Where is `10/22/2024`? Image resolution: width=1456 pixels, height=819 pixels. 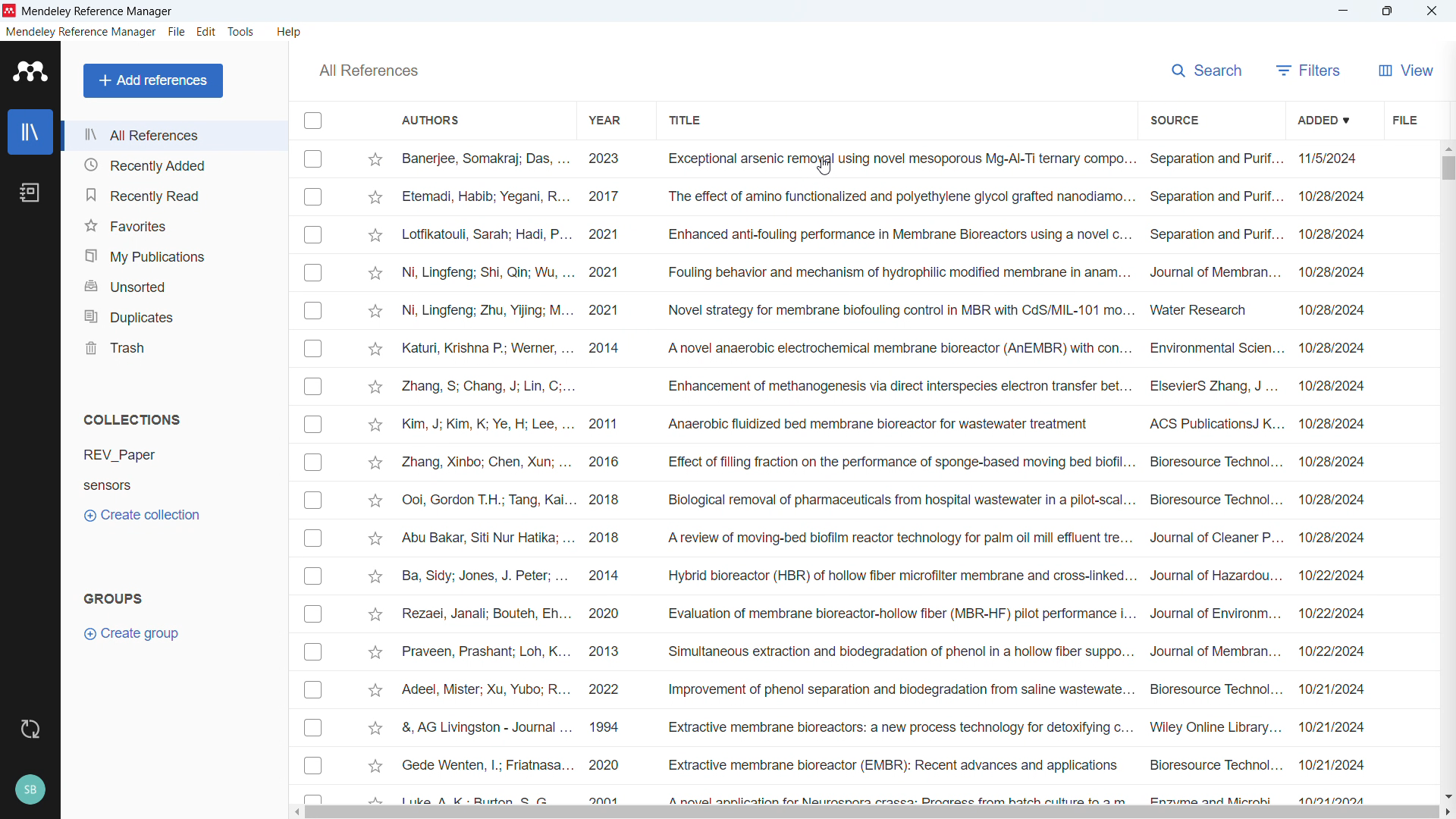 10/22/2024 is located at coordinates (1338, 574).